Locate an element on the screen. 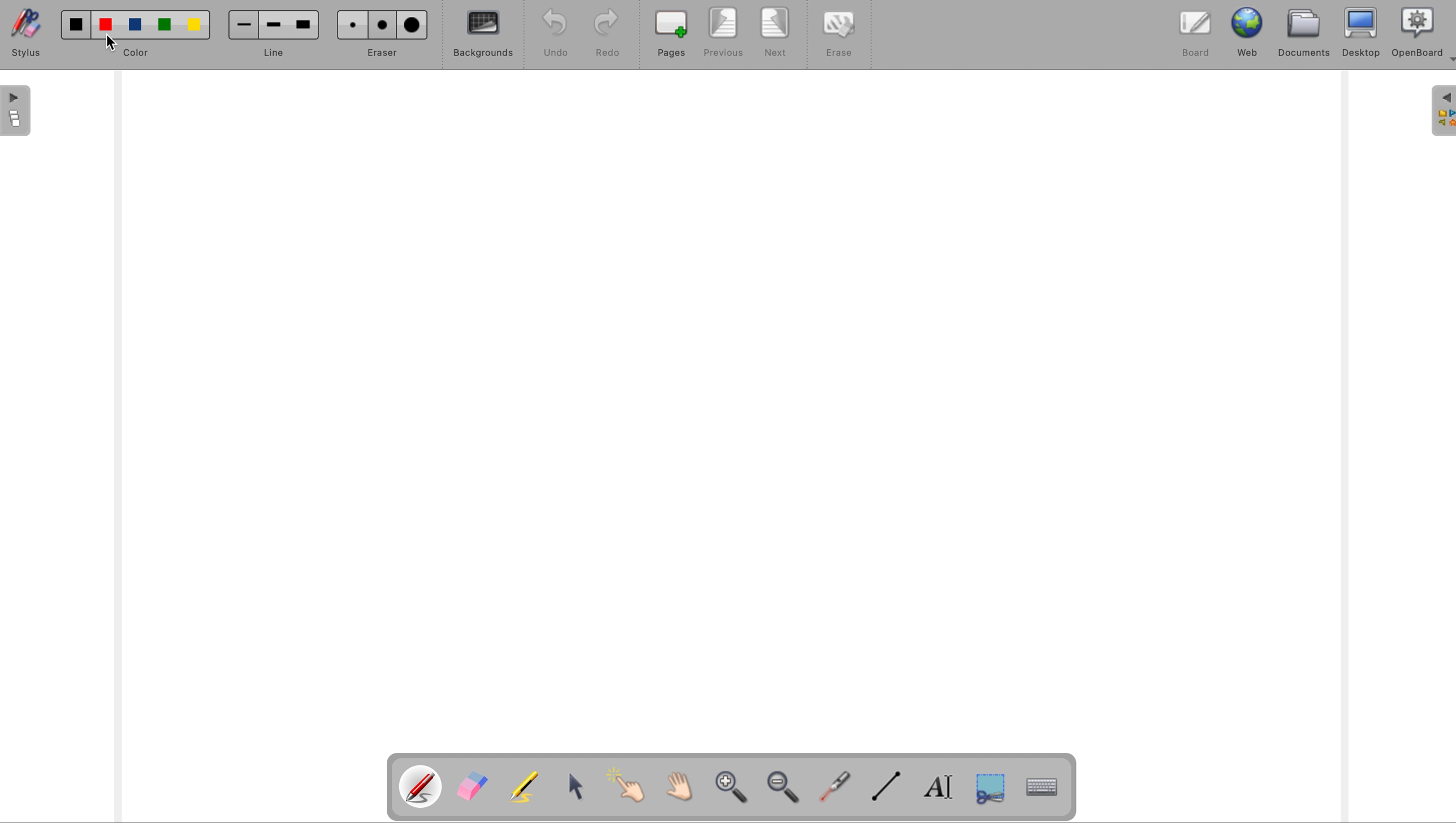 This screenshot has height=823, width=1456. zoom in is located at coordinates (731, 790).